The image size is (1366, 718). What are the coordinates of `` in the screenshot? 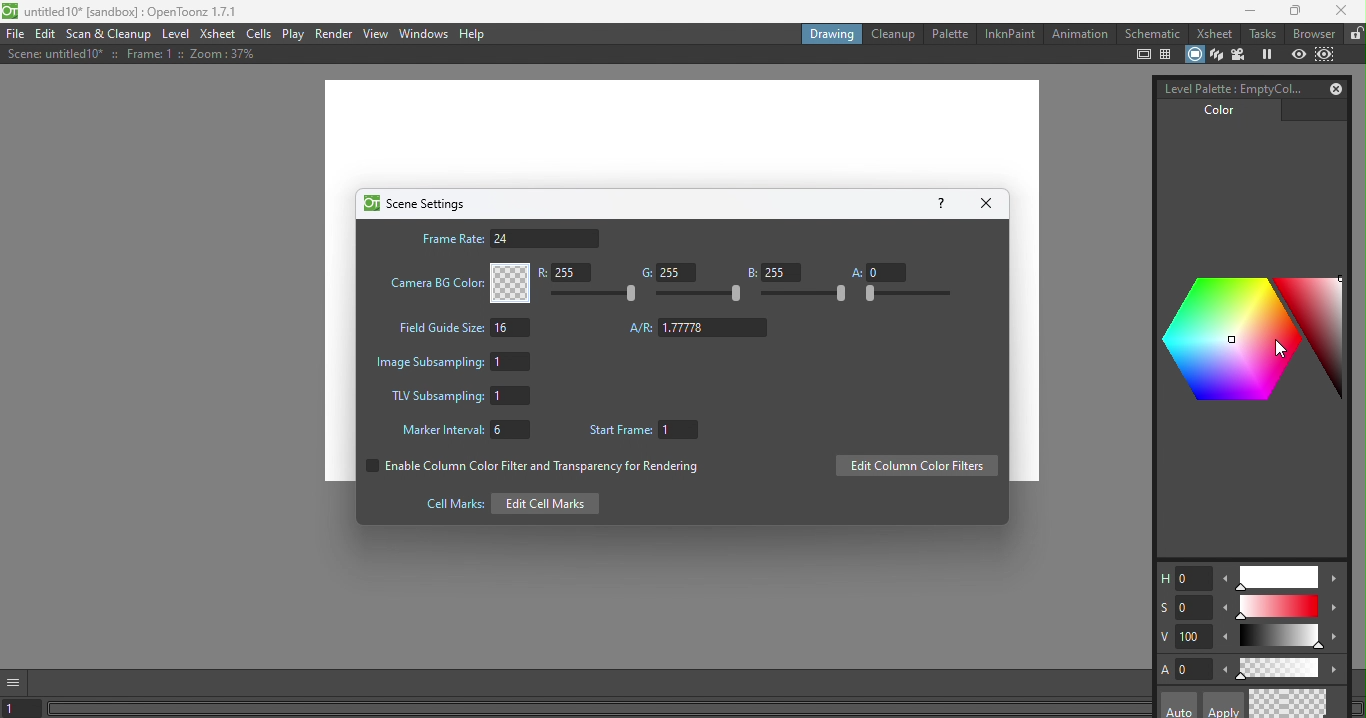 It's located at (1334, 581).